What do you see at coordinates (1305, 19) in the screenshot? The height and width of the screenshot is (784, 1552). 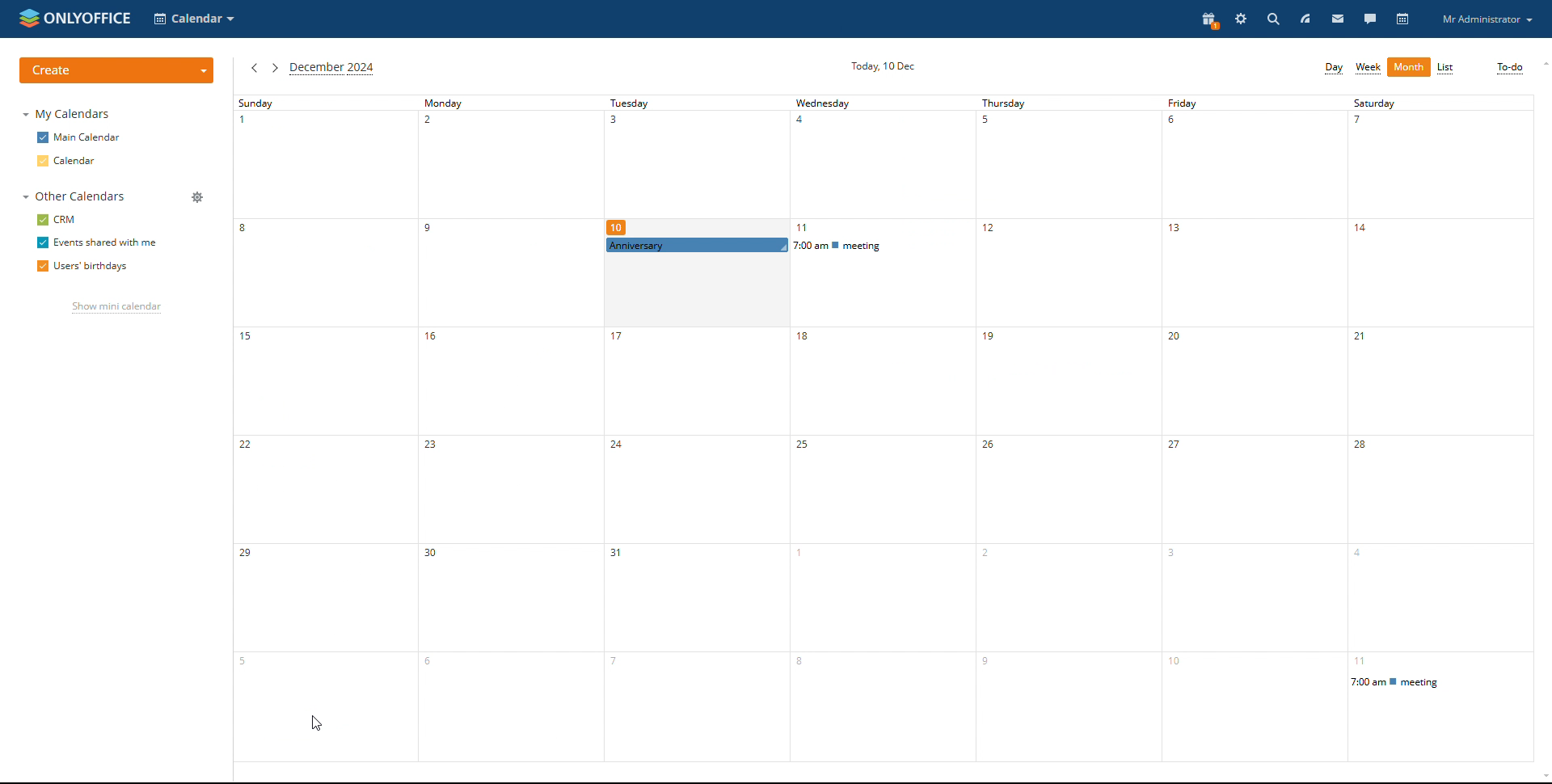 I see `feed` at bounding box center [1305, 19].